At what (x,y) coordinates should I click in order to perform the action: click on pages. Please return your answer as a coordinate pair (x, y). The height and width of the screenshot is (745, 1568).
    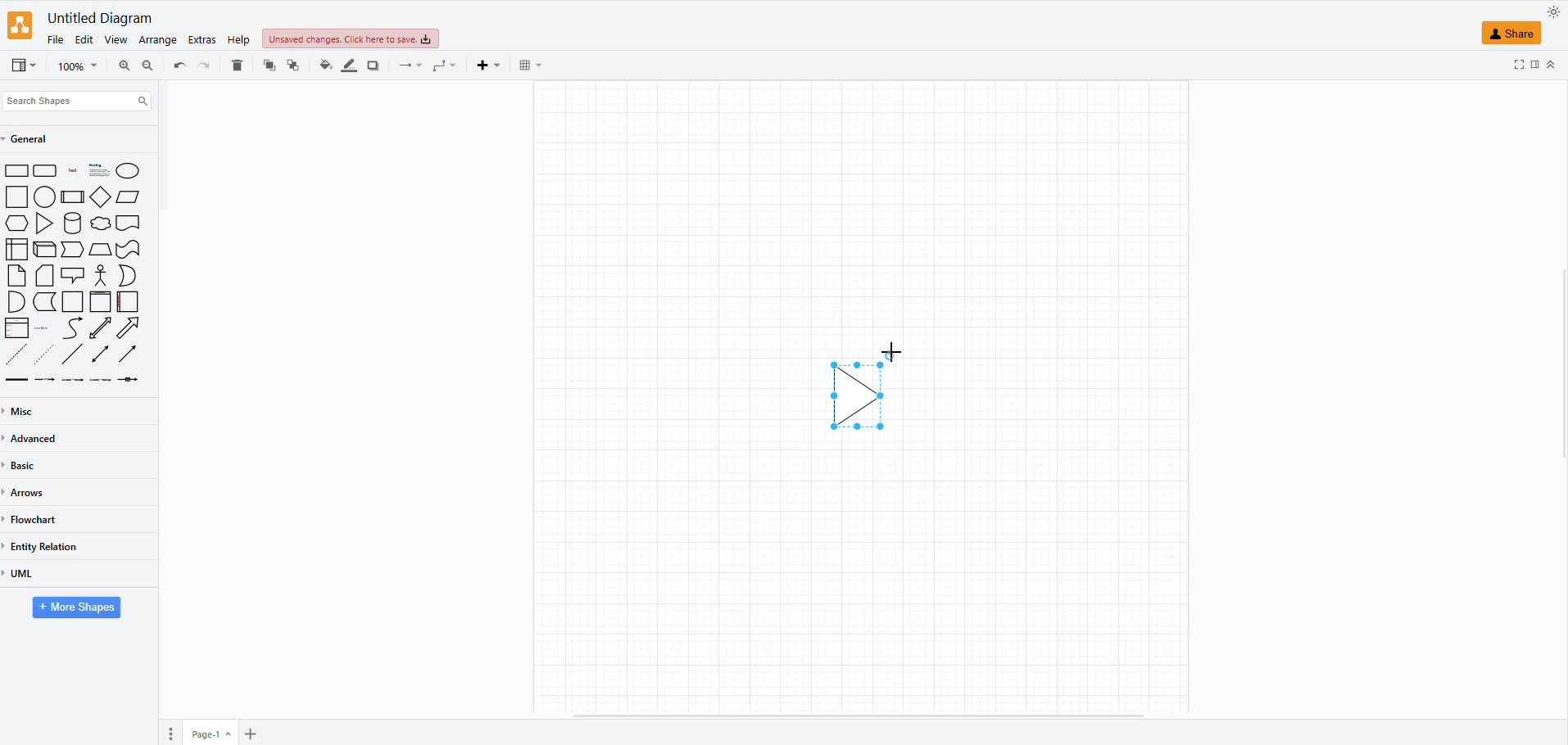
    Looking at the image, I should click on (169, 734).